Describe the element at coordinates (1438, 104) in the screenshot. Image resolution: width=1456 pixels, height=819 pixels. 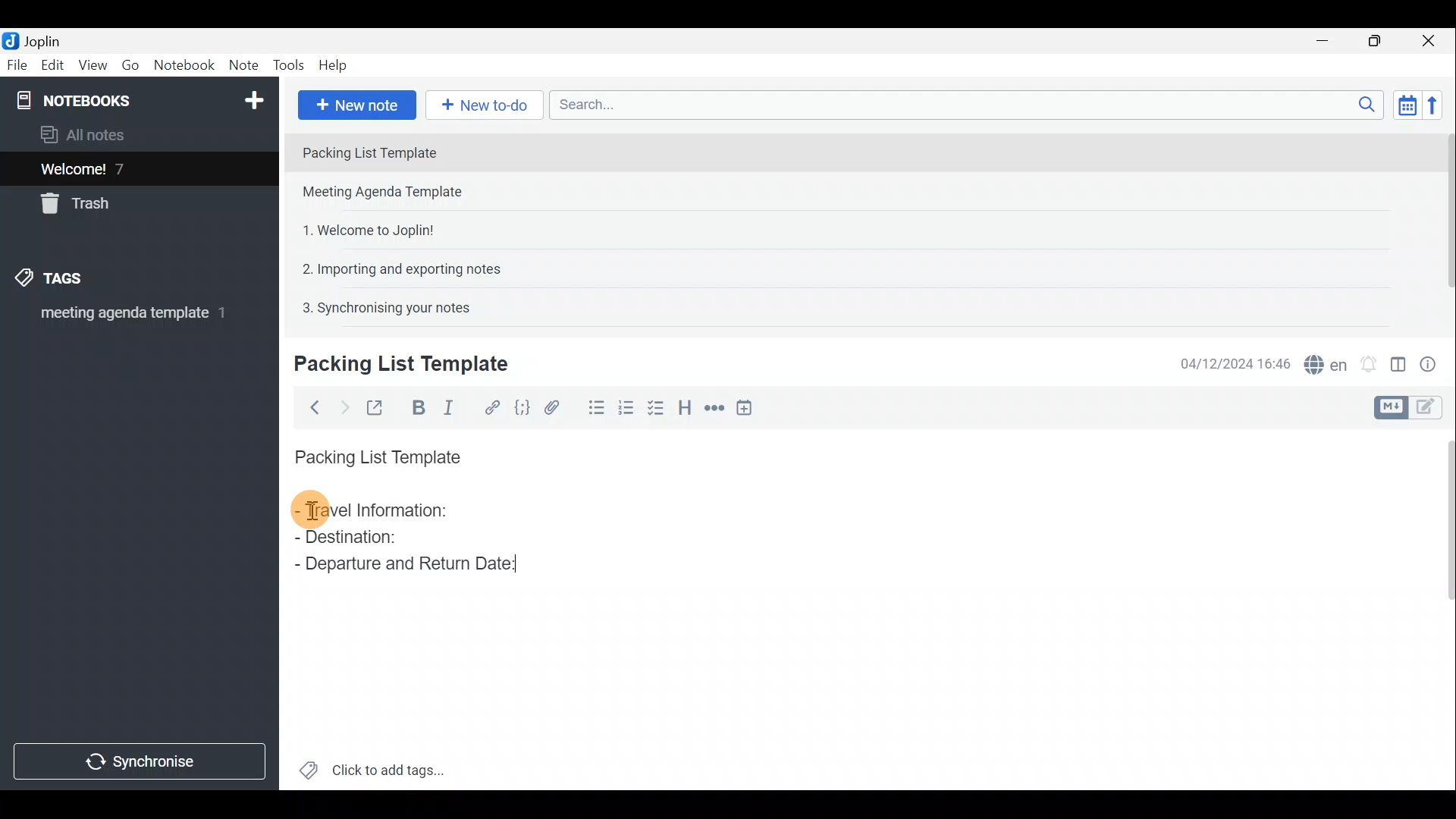
I see `Reverse sort order` at that location.